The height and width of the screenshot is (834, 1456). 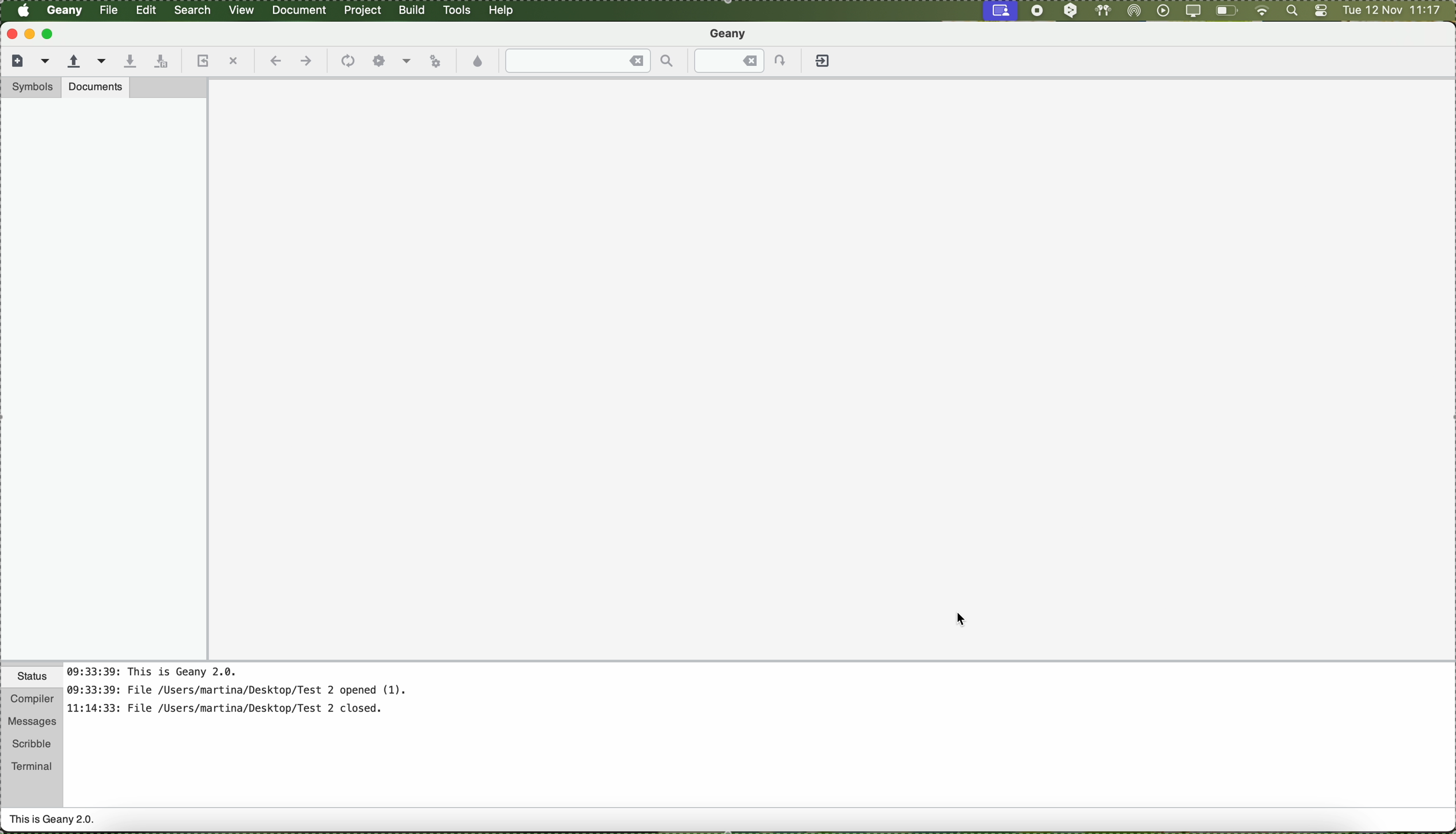 I want to click on play, so click(x=1161, y=10).